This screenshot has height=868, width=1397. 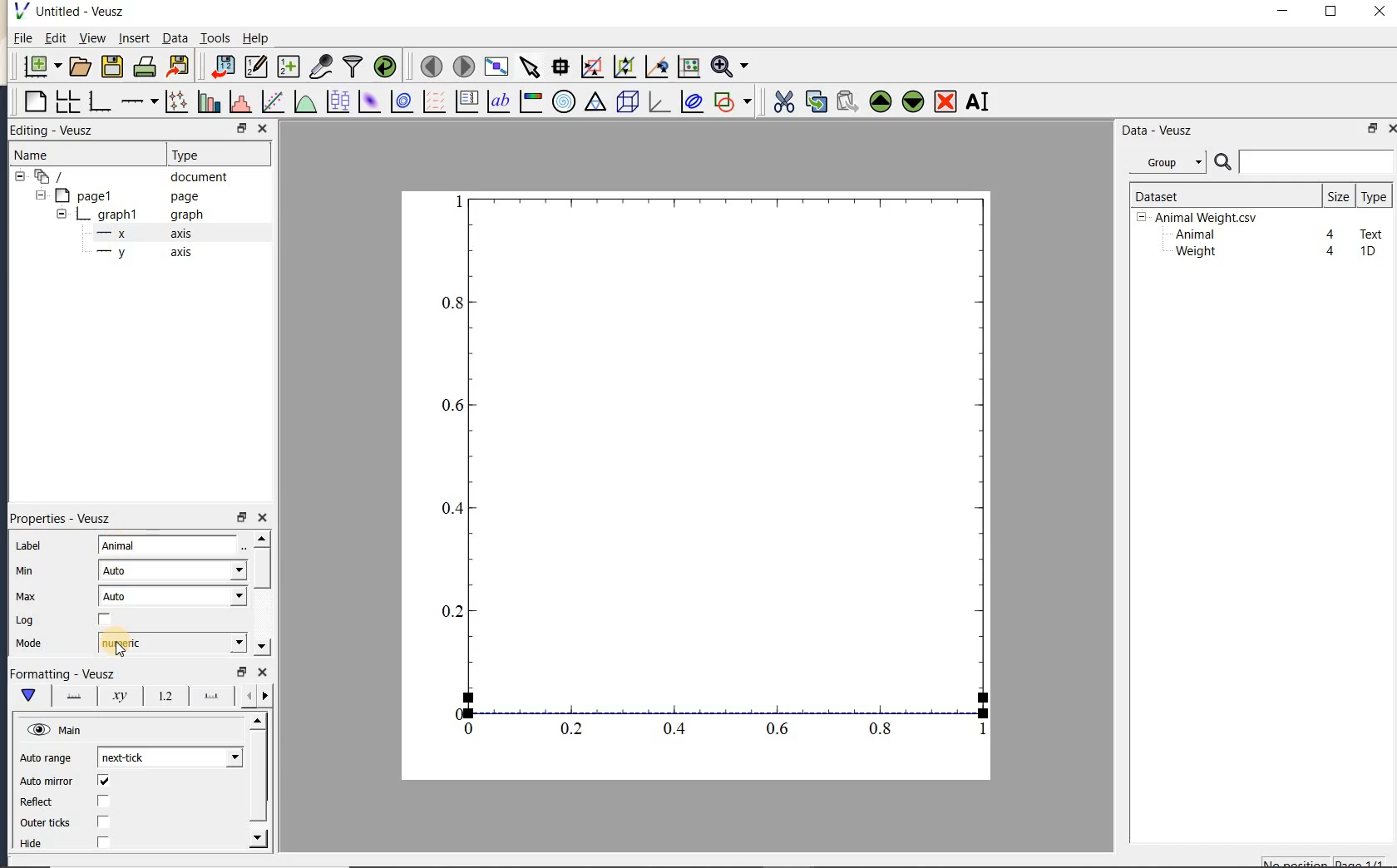 I want to click on Properties - Veusz, so click(x=66, y=518).